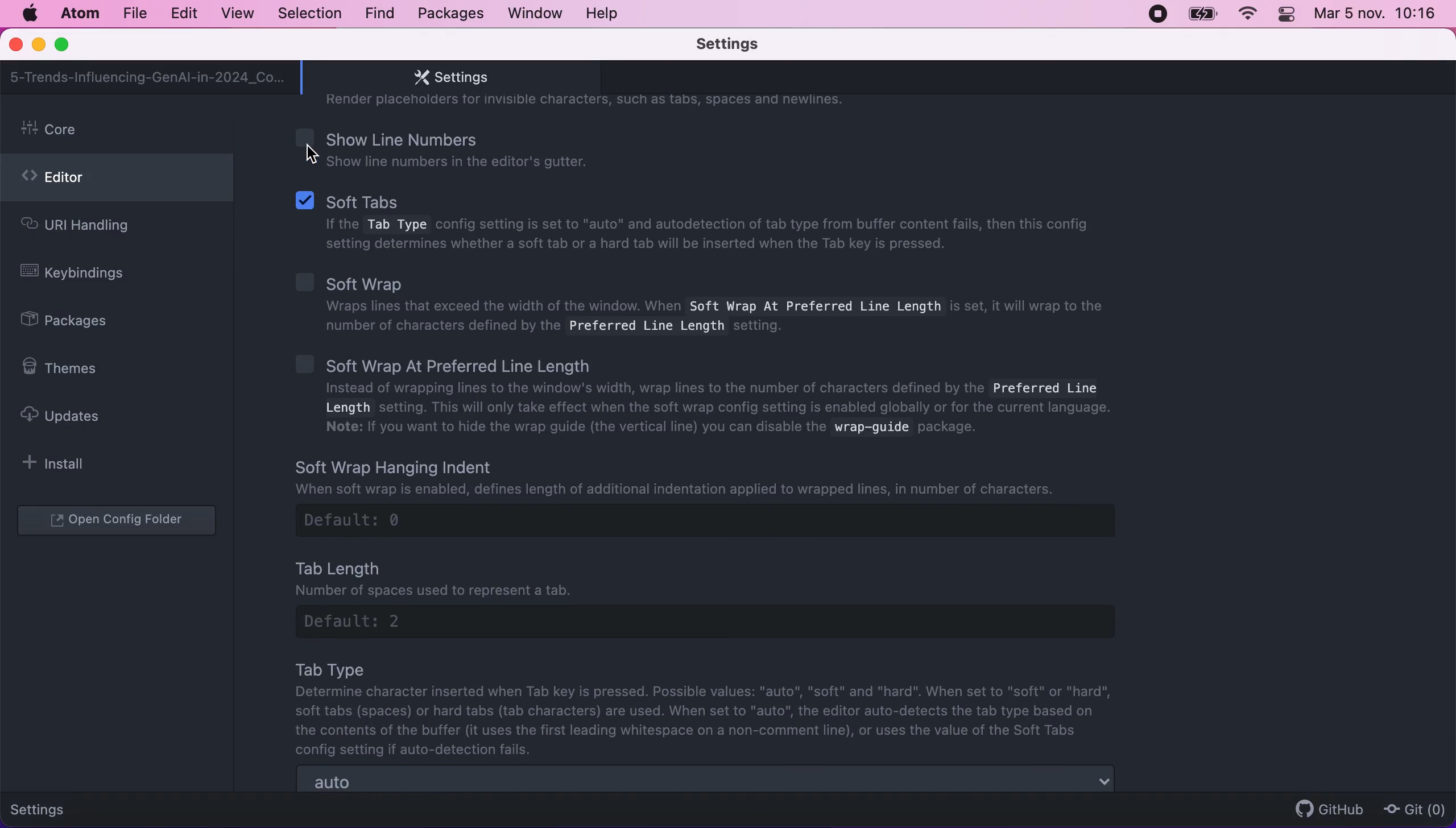  What do you see at coordinates (311, 14) in the screenshot?
I see `selection` at bounding box center [311, 14].